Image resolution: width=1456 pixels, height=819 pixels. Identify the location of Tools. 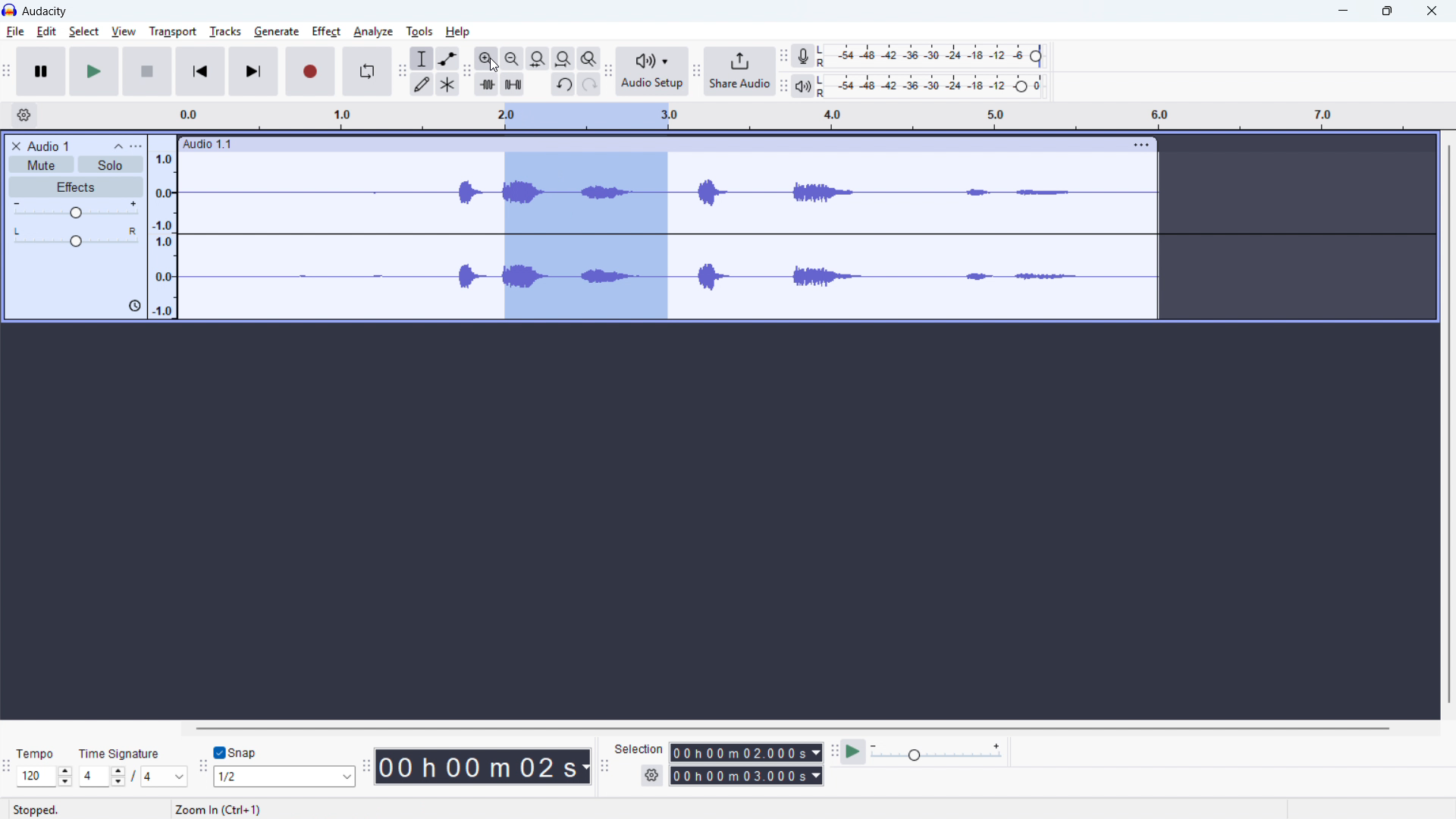
(419, 31).